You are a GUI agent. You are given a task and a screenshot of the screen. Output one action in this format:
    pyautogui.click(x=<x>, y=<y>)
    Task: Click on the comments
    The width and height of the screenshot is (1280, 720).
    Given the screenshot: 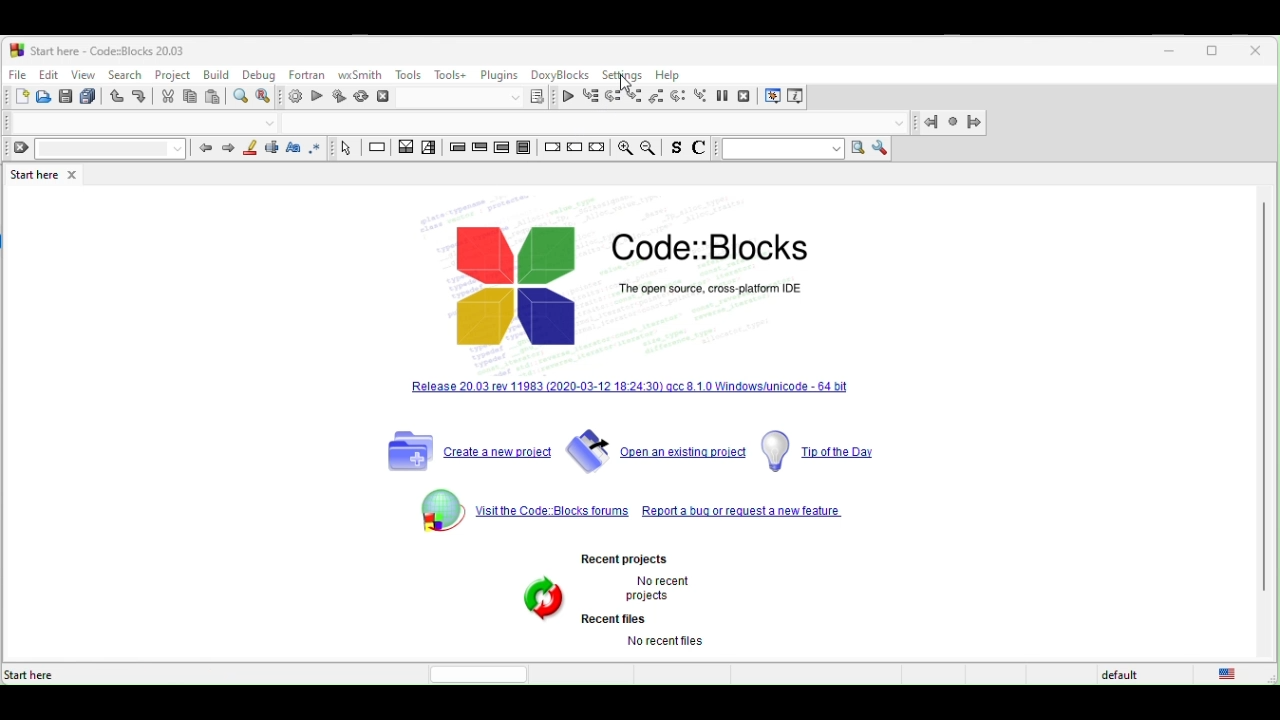 What is the action you would take?
    pyautogui.click(x=702, y=149)
    